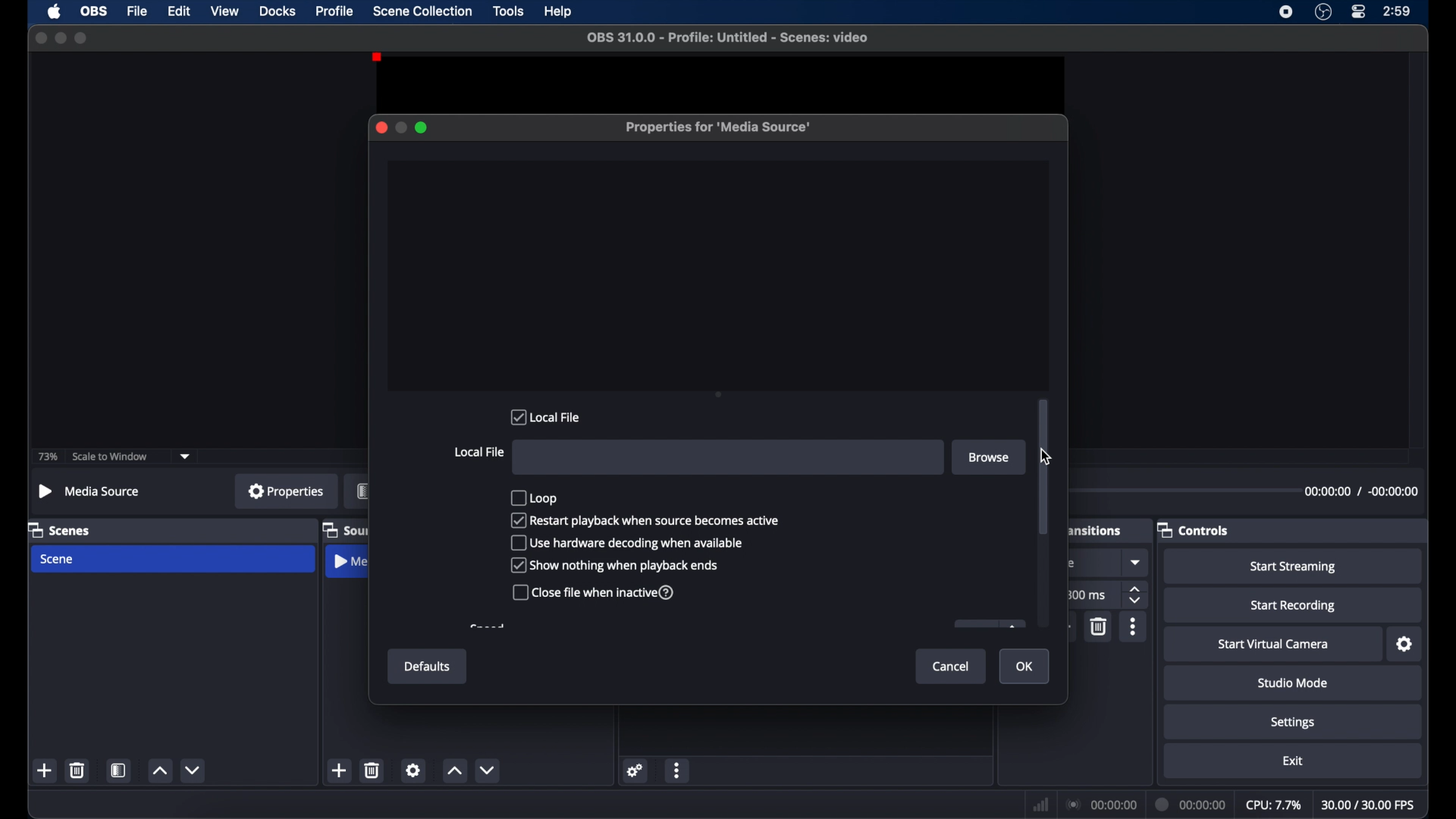  Describe the element at coordinates (645, 519) in the screenshot. I see `restart playback when source becomes active` at that location.